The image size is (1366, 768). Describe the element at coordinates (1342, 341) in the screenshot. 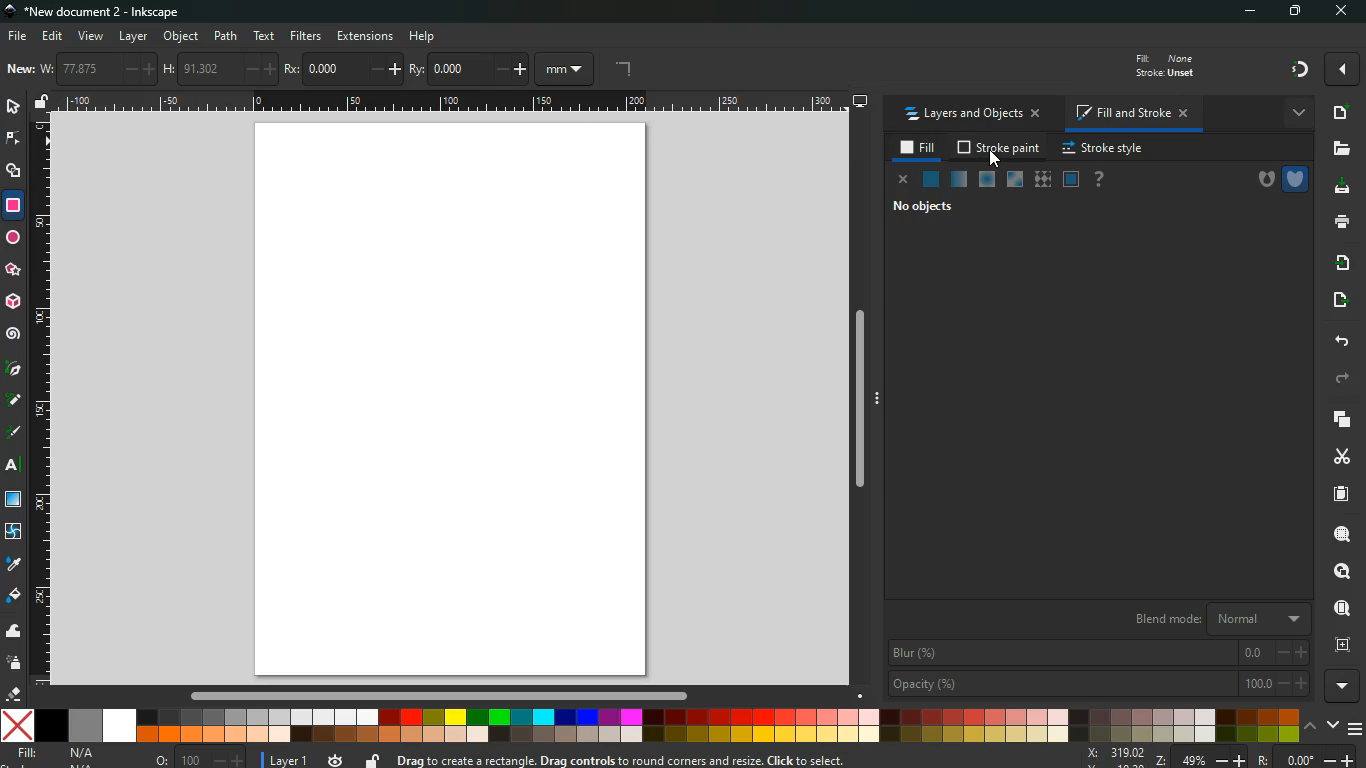

I see `back` at that location.